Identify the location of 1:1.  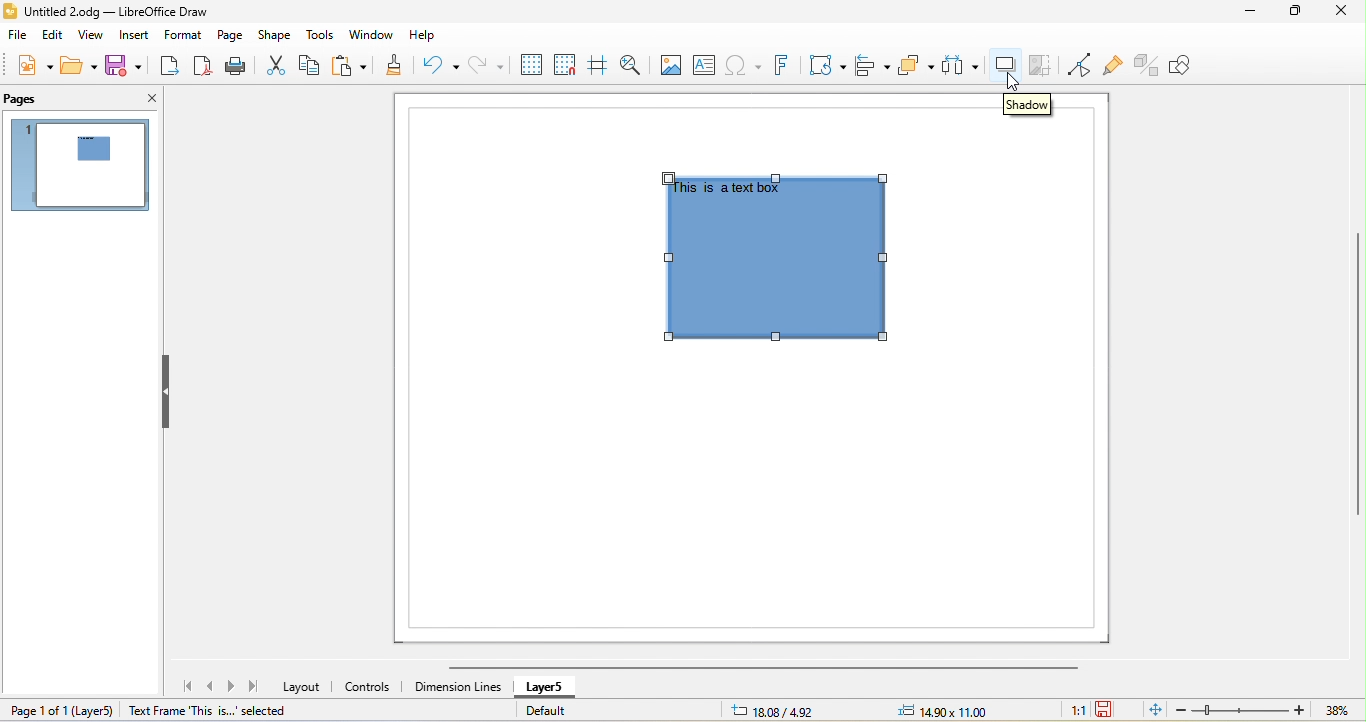
(1071, 711).